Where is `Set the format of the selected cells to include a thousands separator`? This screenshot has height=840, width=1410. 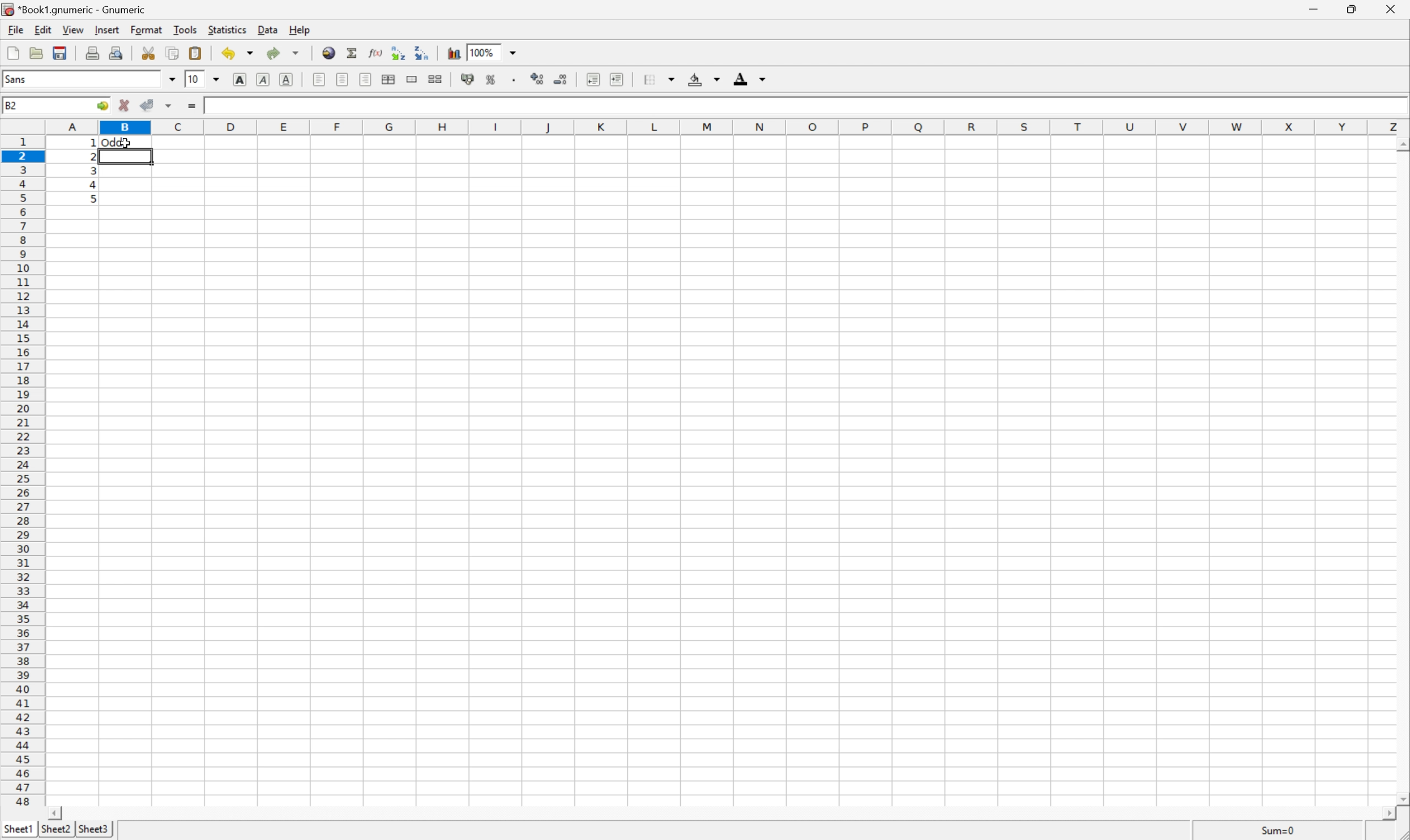 Set the format of the selected cells to include a thousands separator is located at coordinates (514, 79).